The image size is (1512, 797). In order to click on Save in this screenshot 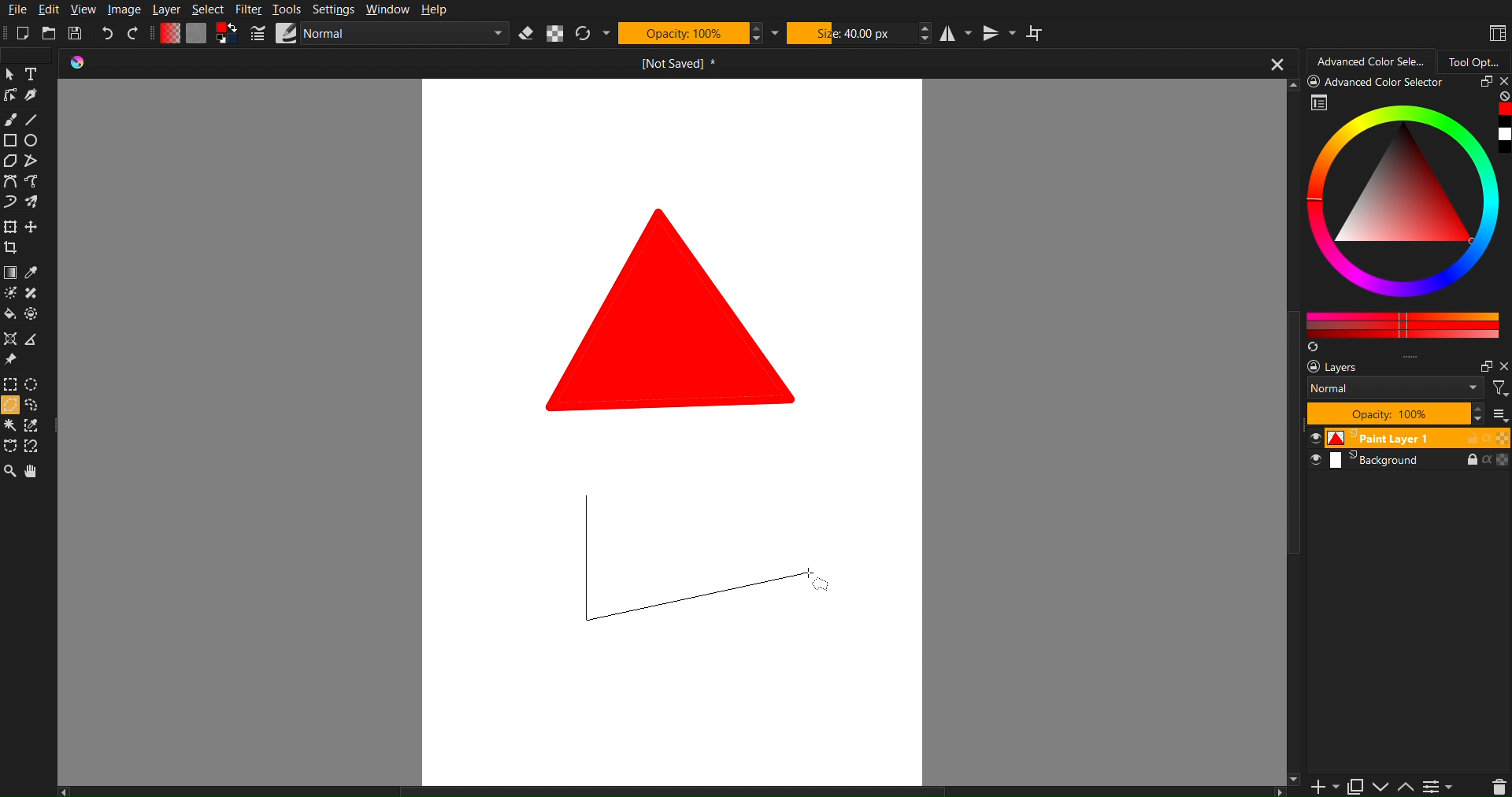, I will do `click(76, 33)`.